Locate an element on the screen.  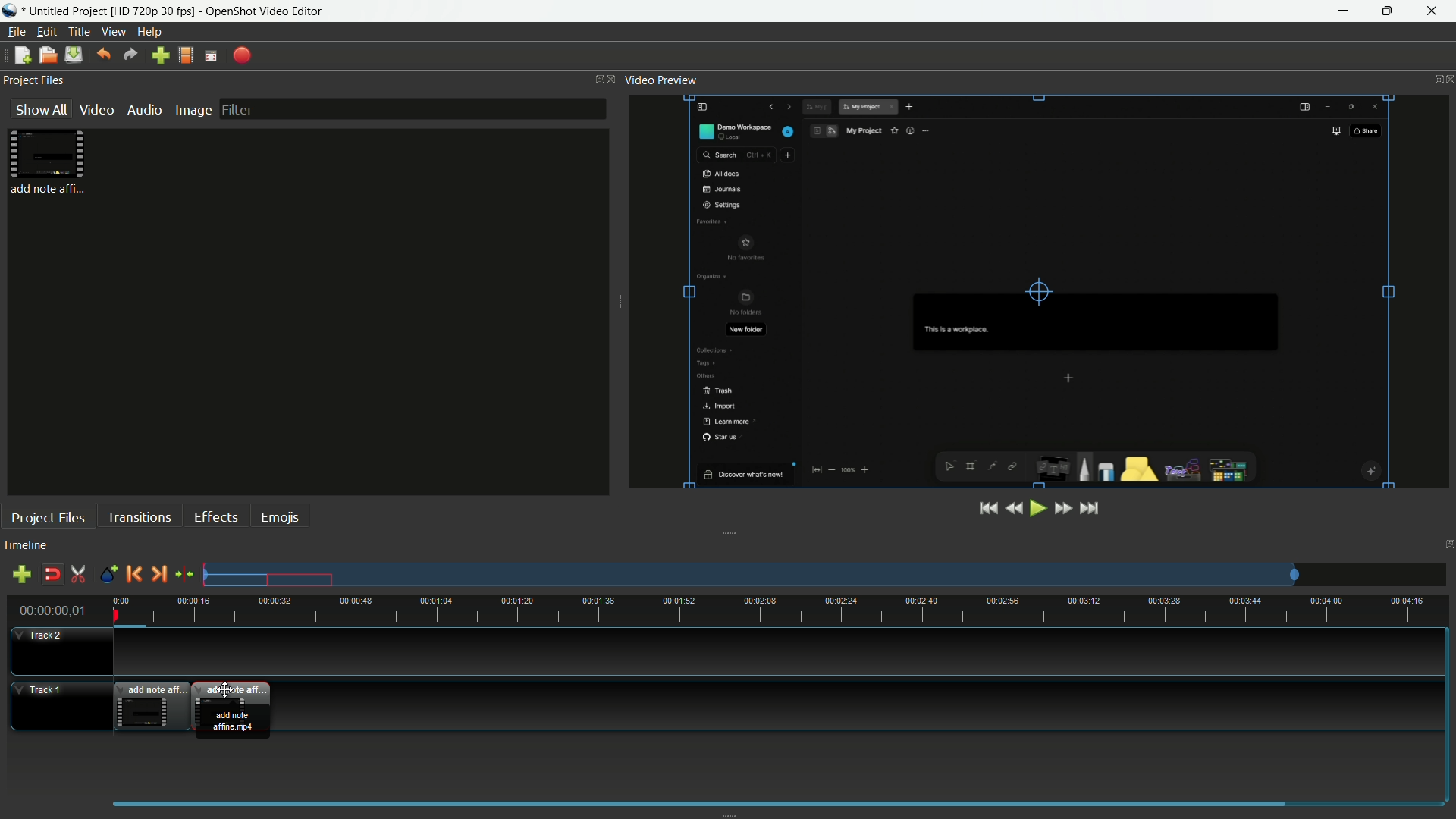
time is located at coordinates (785, 610).